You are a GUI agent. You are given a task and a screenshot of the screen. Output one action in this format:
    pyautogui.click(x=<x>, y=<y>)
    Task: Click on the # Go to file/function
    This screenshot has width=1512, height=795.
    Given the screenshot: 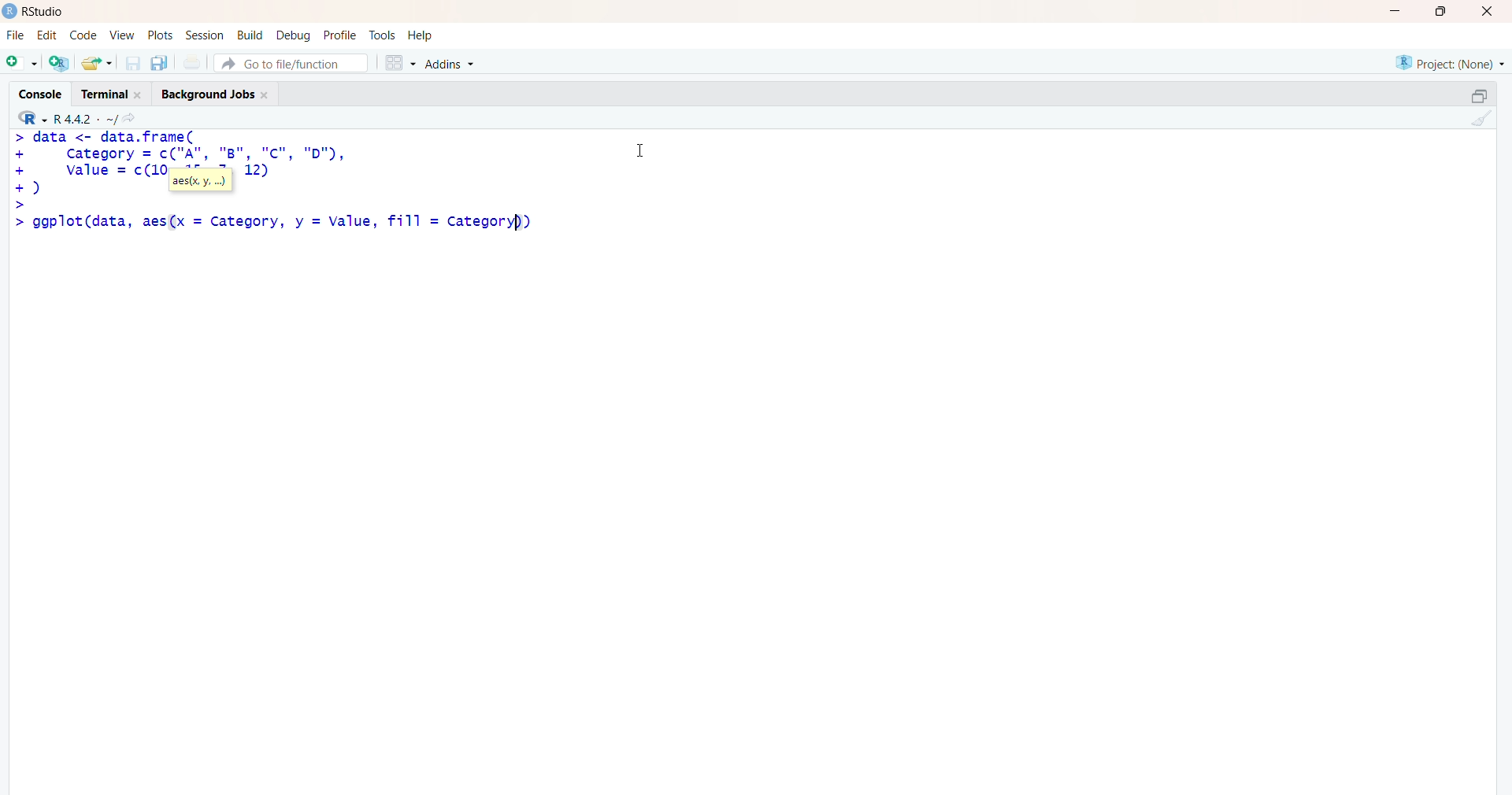 What is the action you would take?
    pyautogui.click(x=291, y=63)
    